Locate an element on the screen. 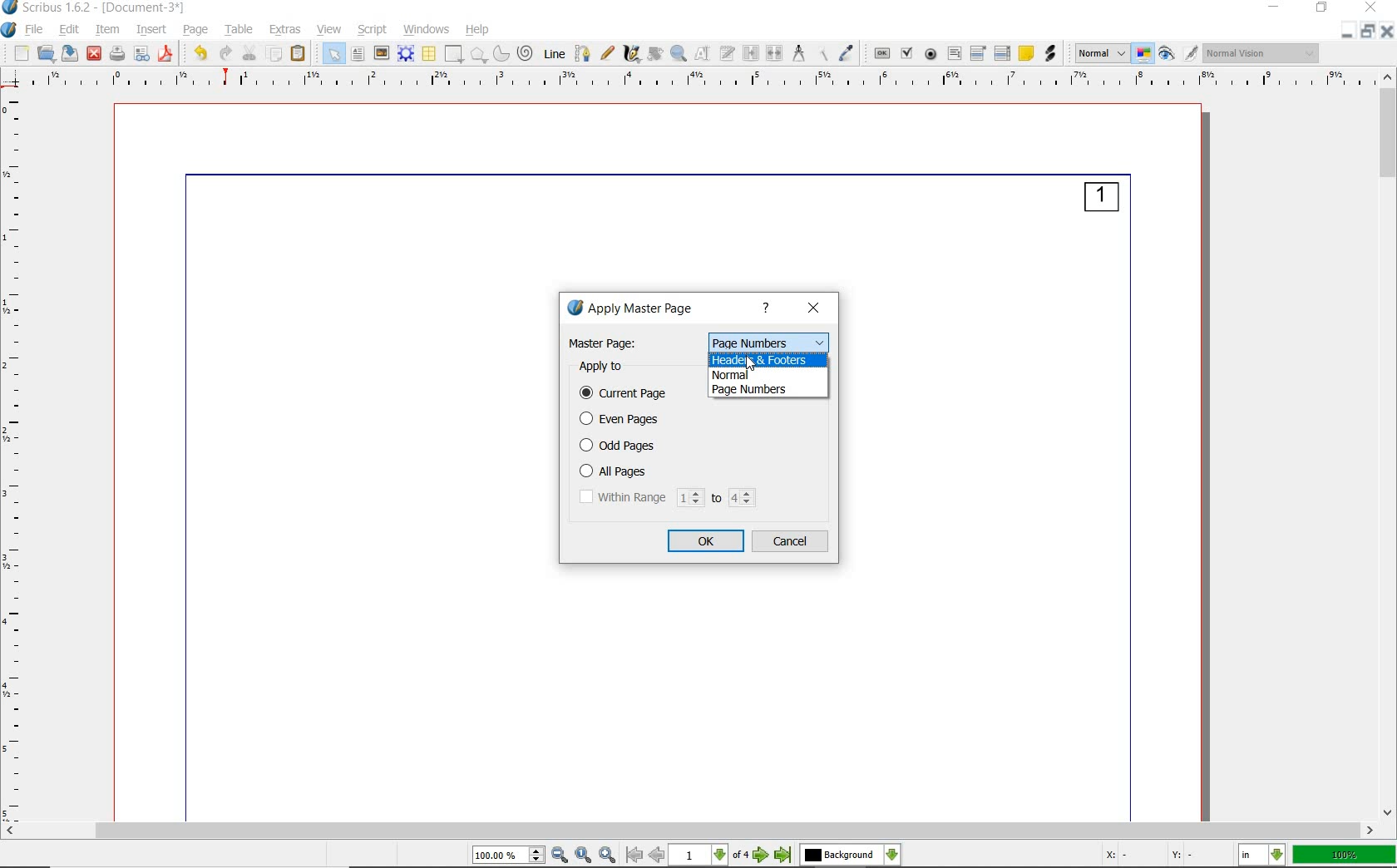  line is located at coordinates (554, 54).